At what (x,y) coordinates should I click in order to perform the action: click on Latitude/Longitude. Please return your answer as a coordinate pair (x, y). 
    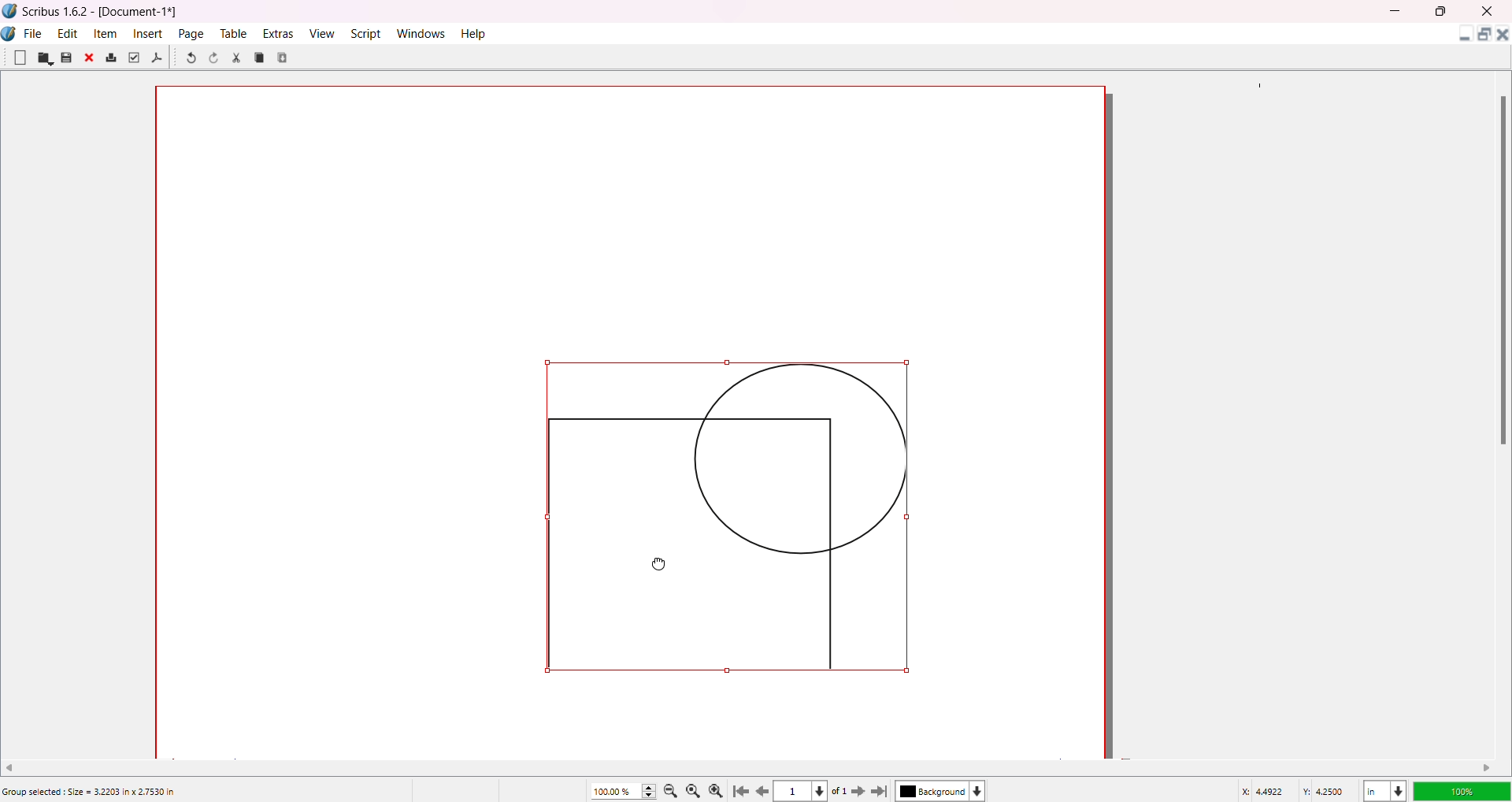
    Looking at the image, I should click on (1295, 790).